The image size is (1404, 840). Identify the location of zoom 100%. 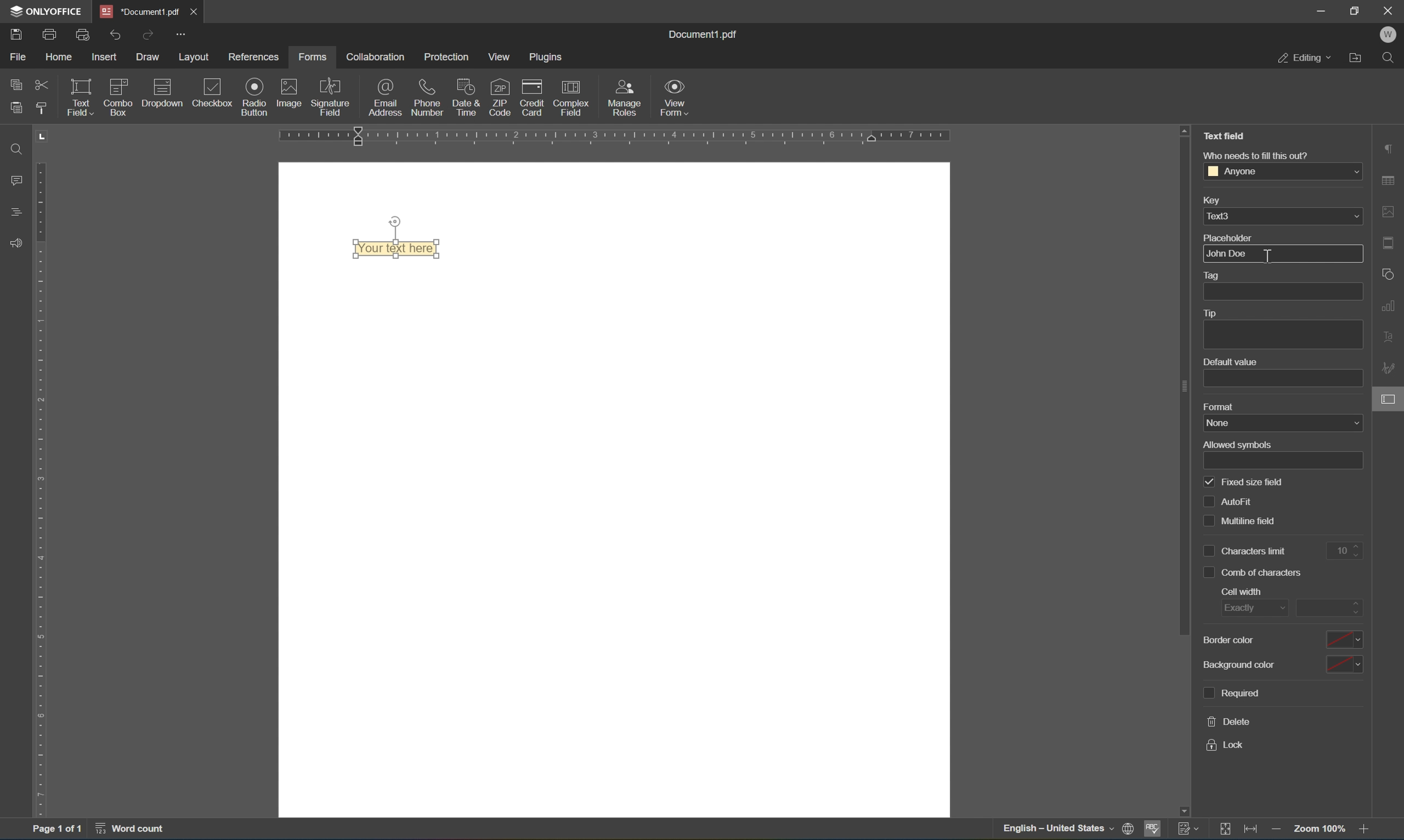
(1320, 829).